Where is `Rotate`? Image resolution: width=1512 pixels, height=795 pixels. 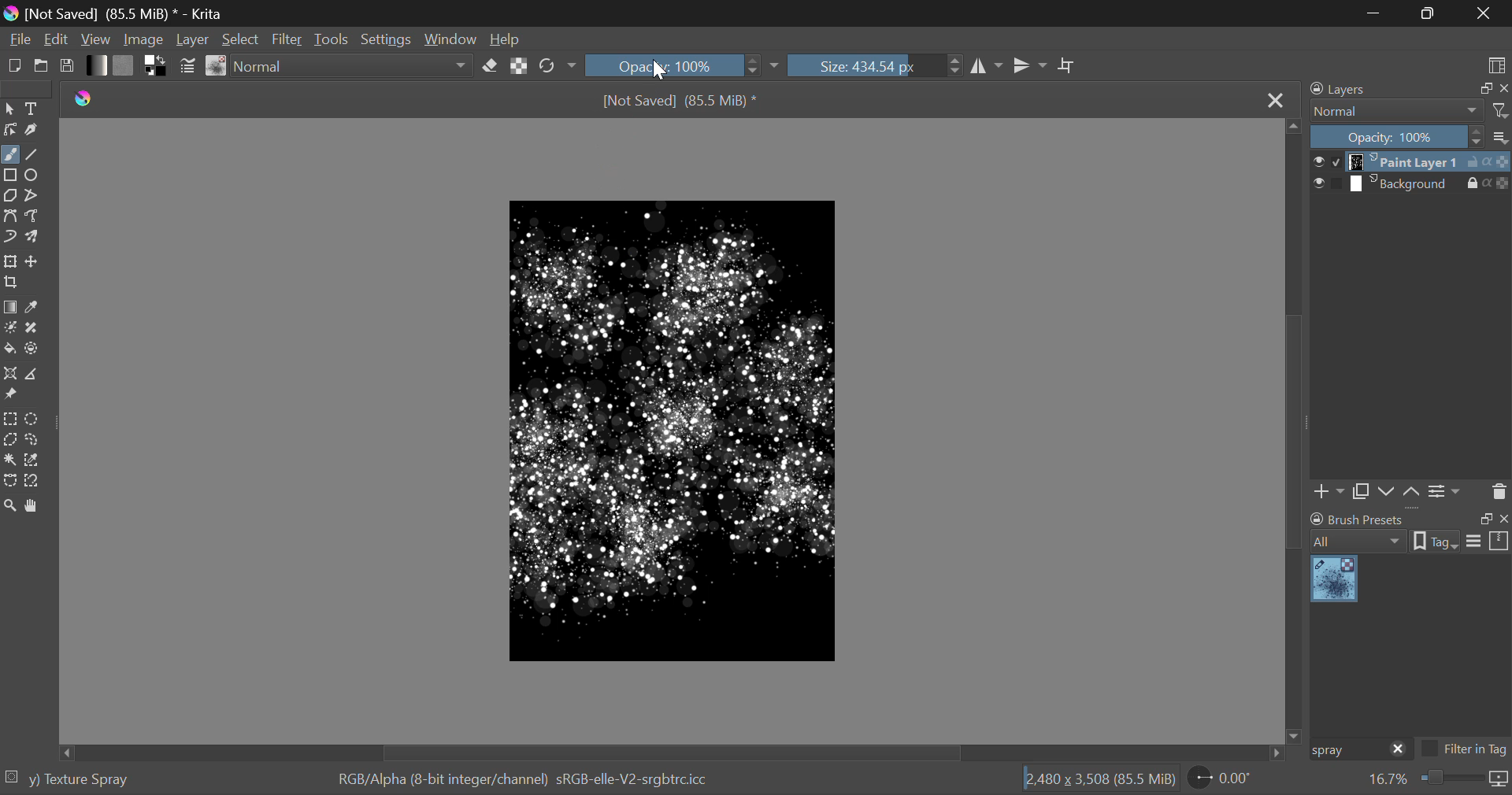
Rotate is located at coordinates (559, 66).